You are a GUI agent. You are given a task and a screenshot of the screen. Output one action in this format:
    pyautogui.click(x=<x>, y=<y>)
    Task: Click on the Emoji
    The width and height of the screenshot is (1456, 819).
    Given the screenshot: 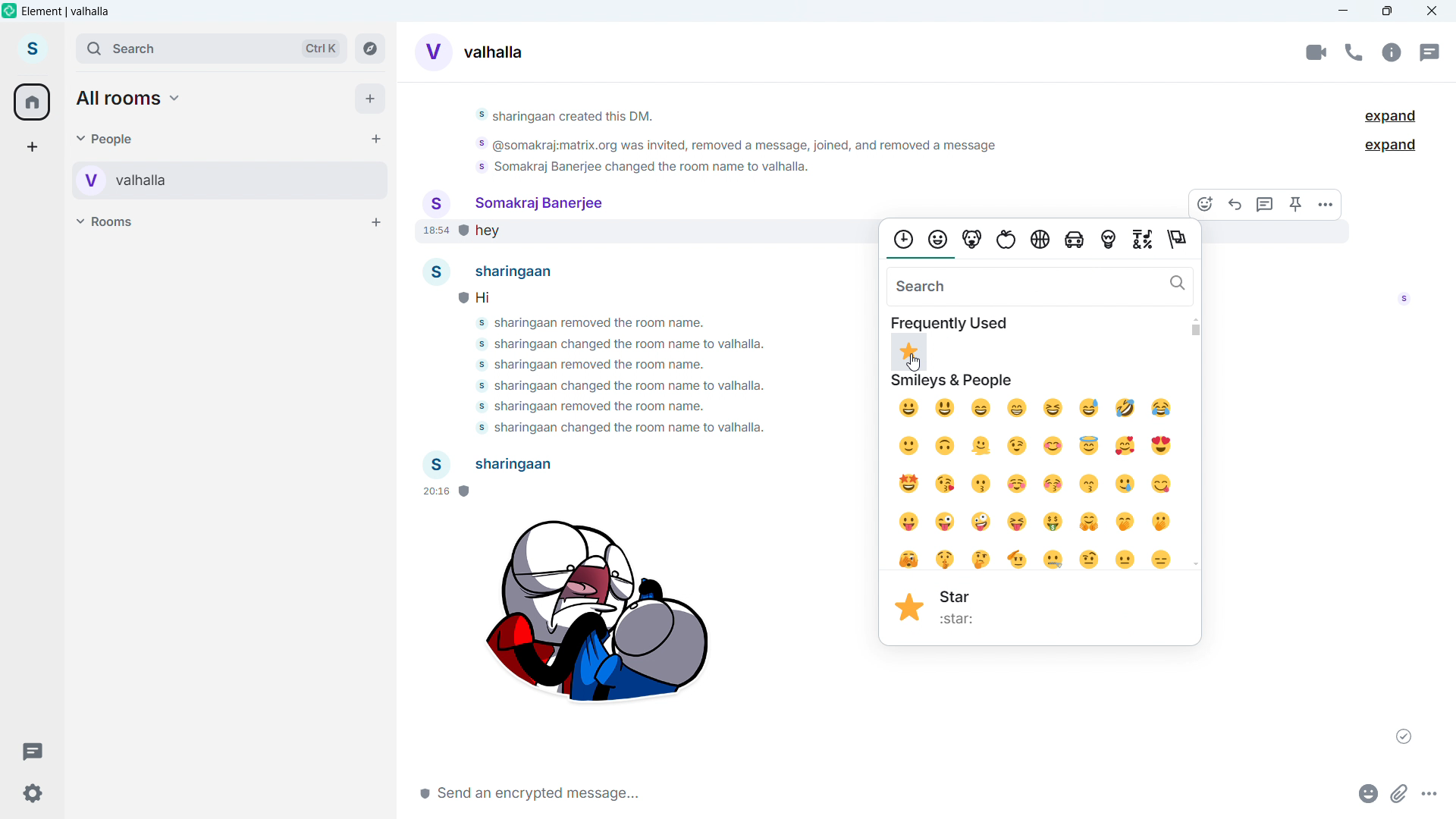 What is the action you would take?
    pyautogui.click(x=1365, y=792)
    